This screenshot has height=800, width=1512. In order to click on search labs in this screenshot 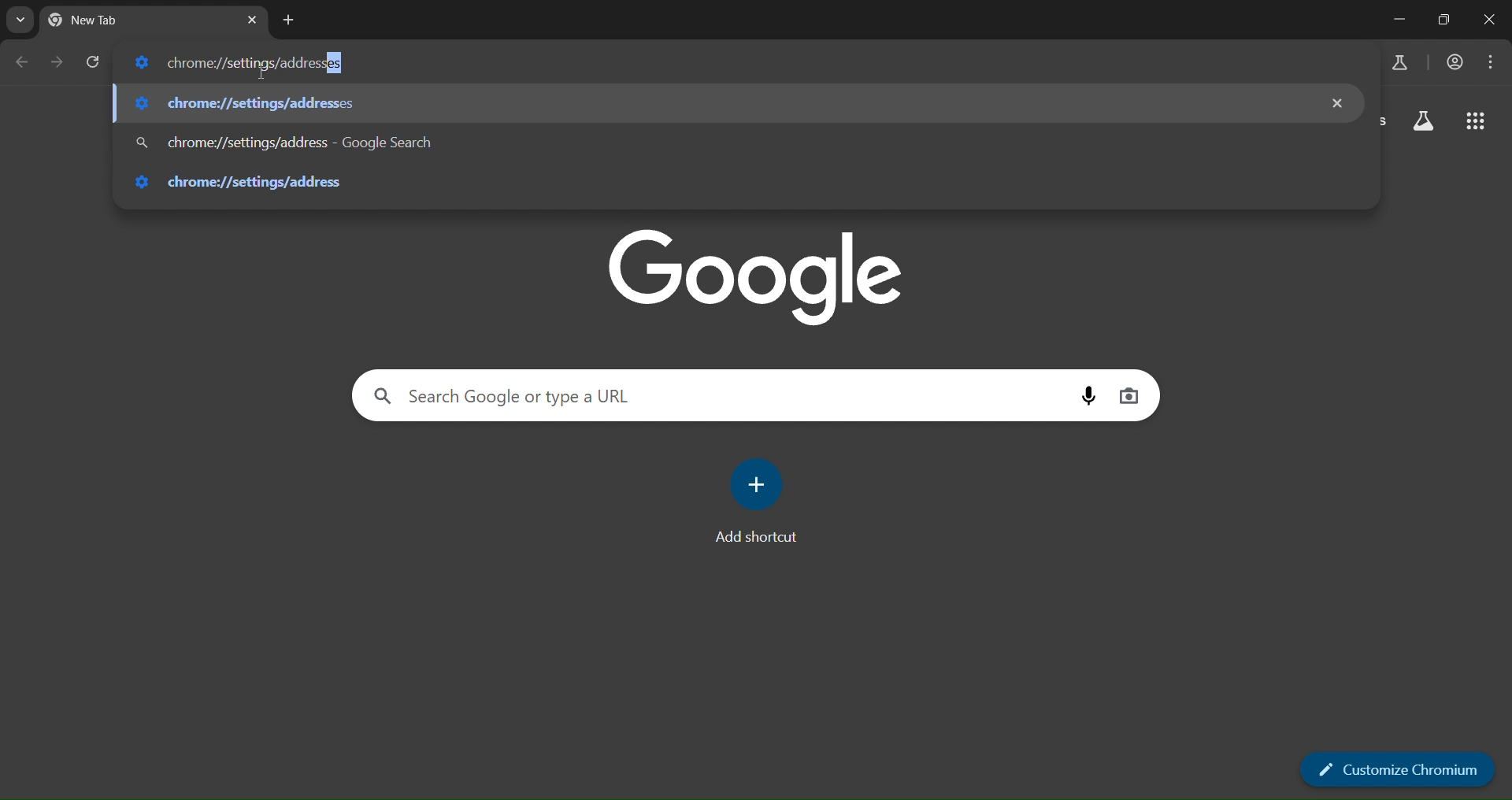, I will do `click(1422, 122)`.